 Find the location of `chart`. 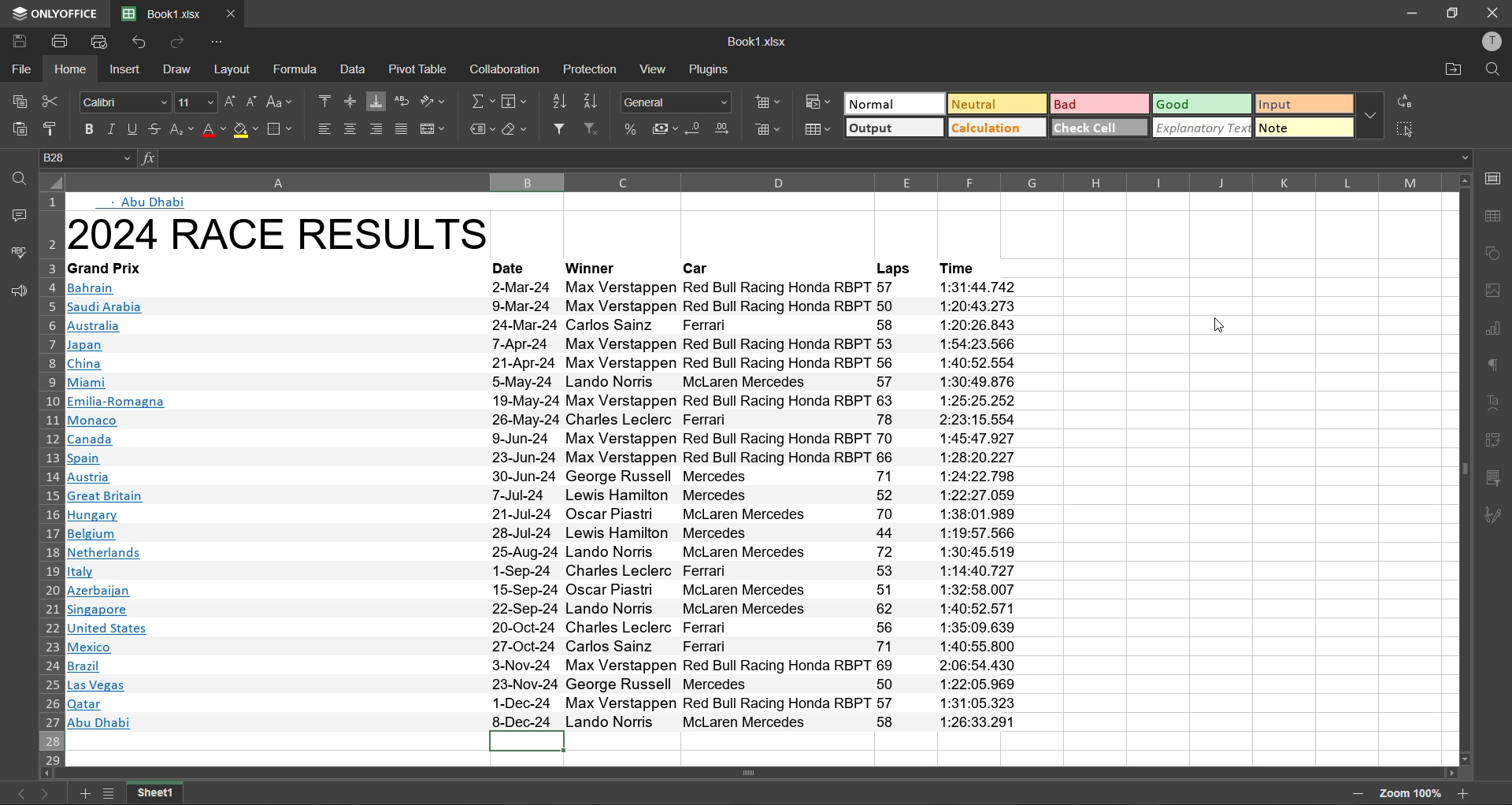

chart is located at coordinates (1496, 327).